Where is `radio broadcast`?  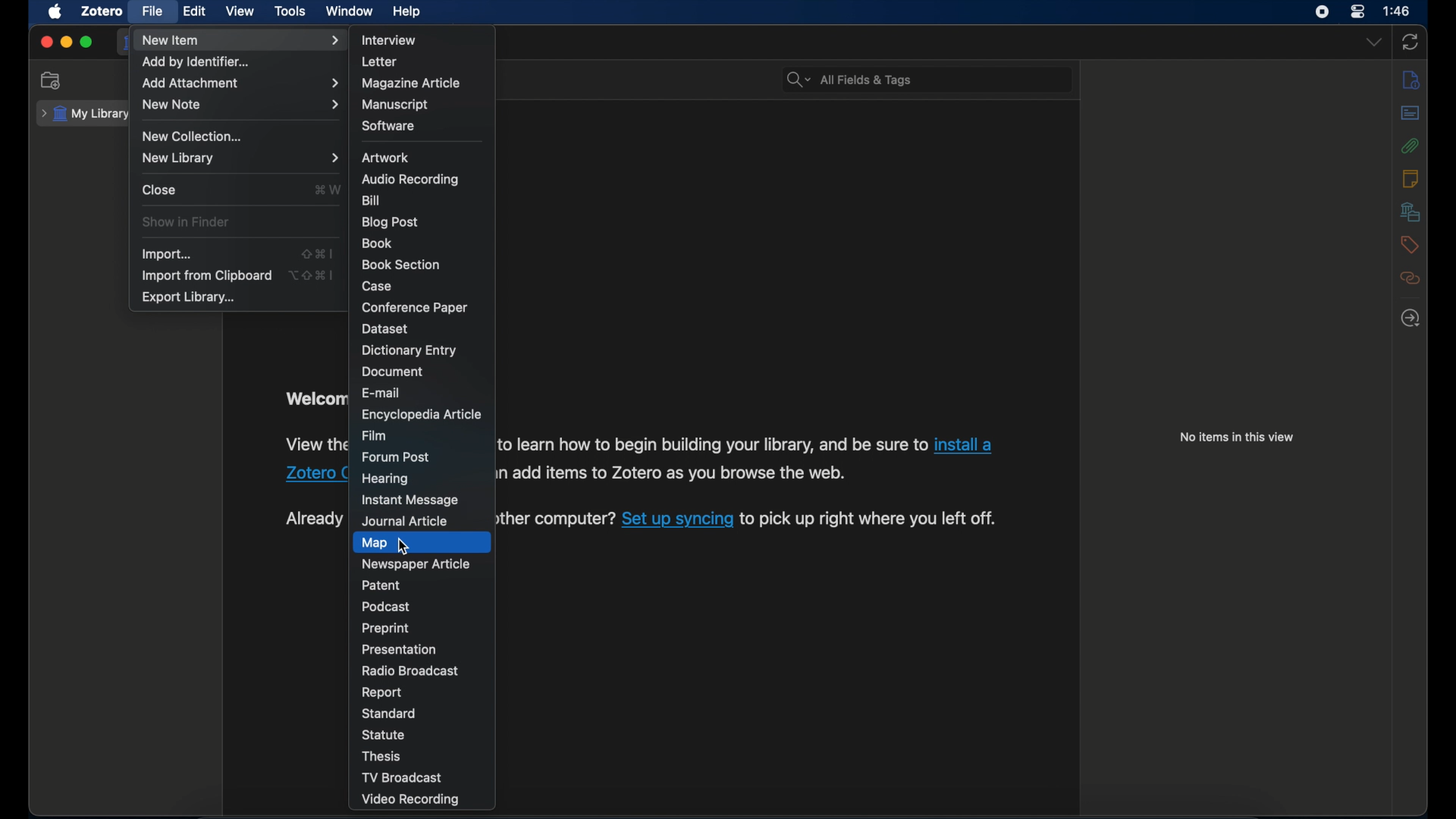 radio broadcast is located at coordinates (409, 671).